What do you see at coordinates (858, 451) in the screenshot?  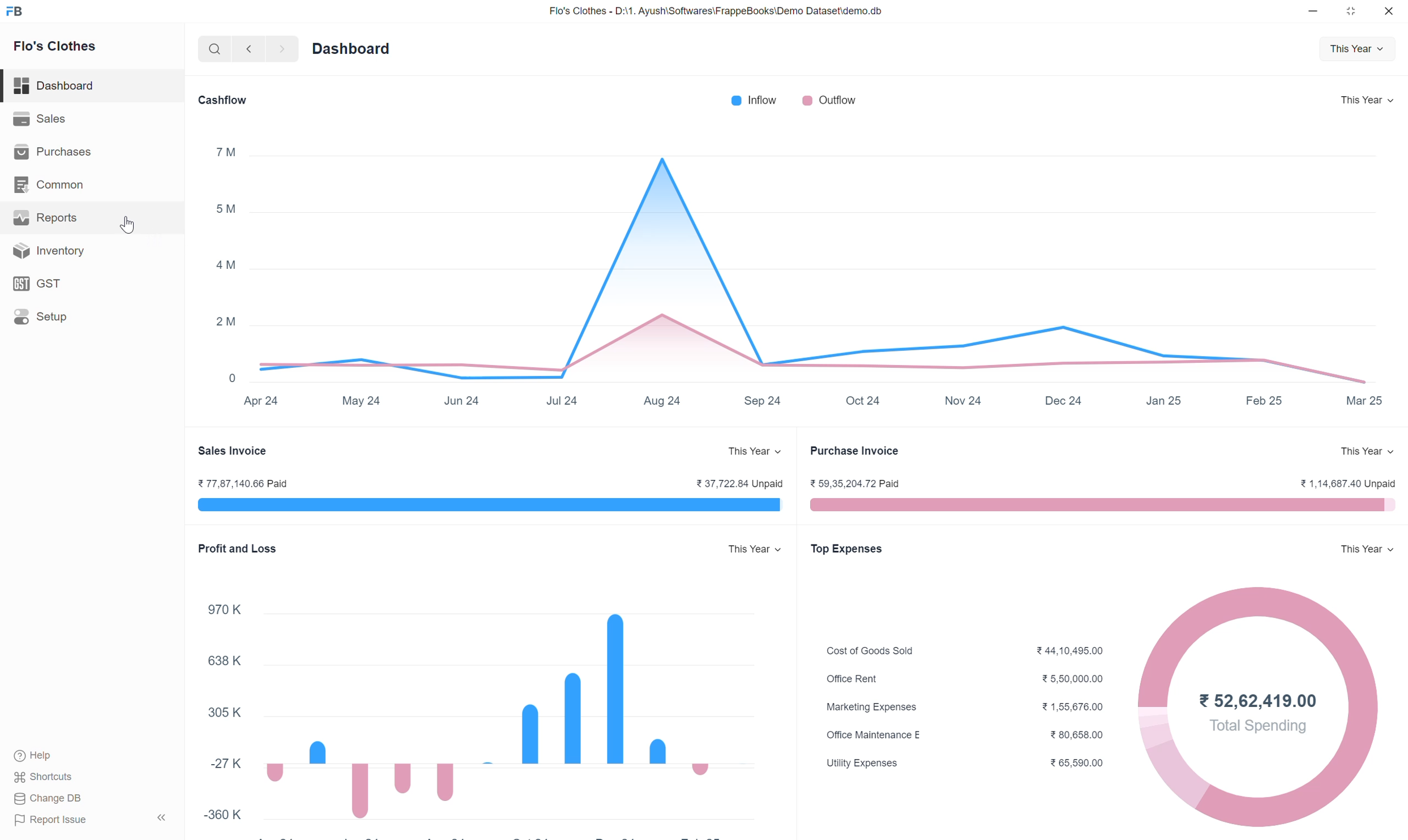 I see `Purchase Invoice` at bounding box center [858, 451].